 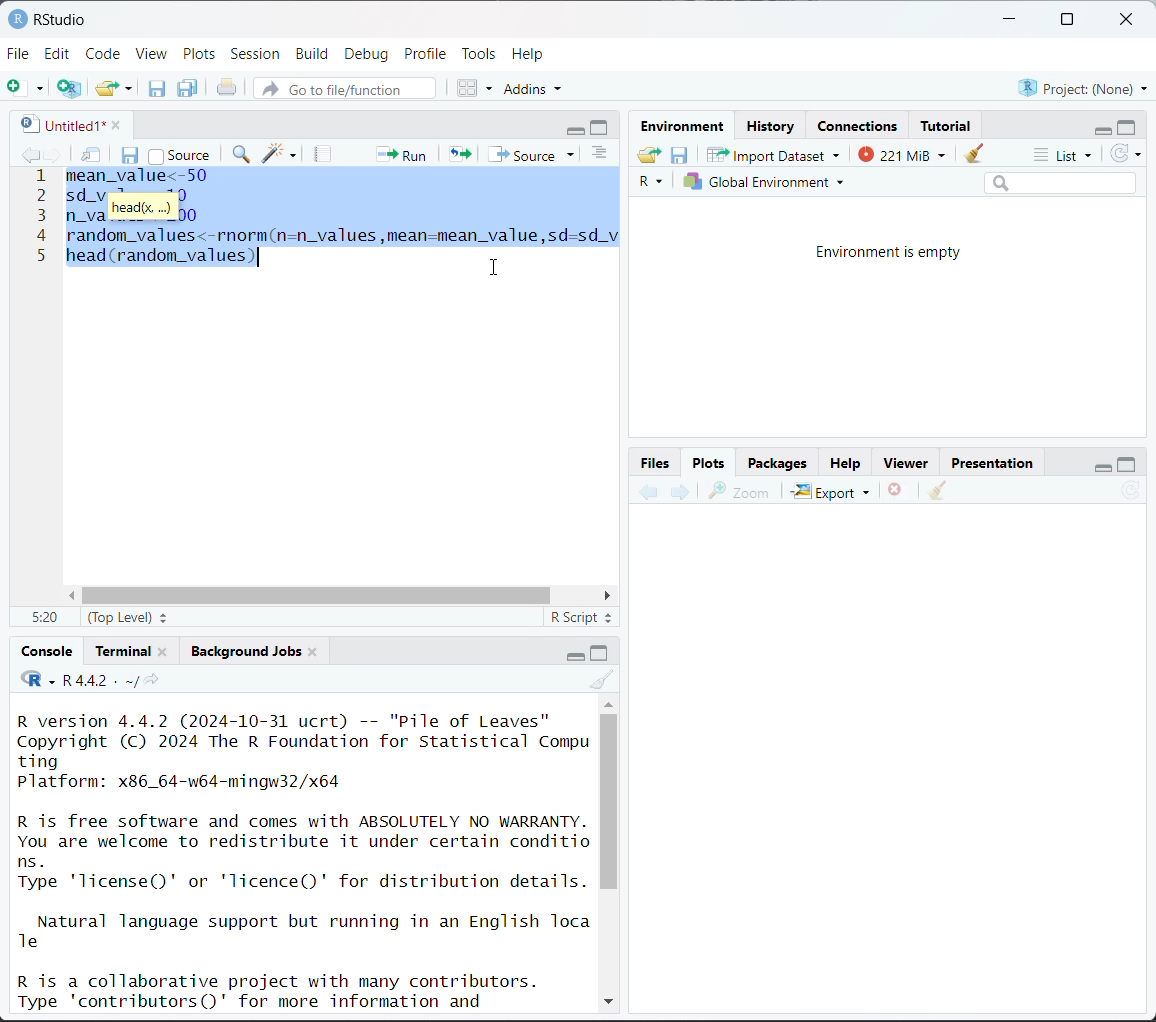 What do you see at coordinates (890, 253) in the screenshot?
I see `Environment is empty` at bounding box center [890, 253].